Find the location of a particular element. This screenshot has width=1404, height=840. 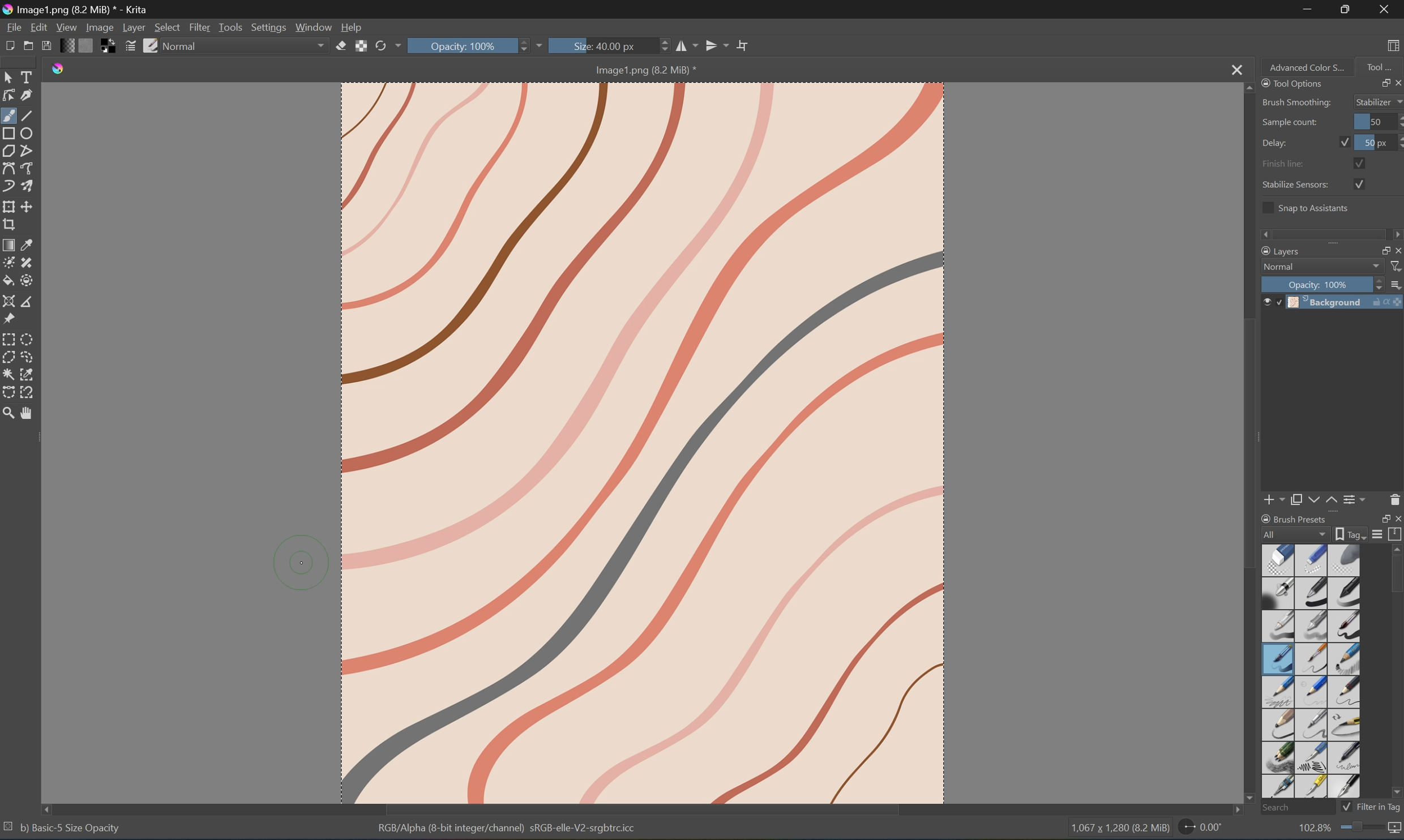

Edit shapes tool is located at coordinates (9, 96).